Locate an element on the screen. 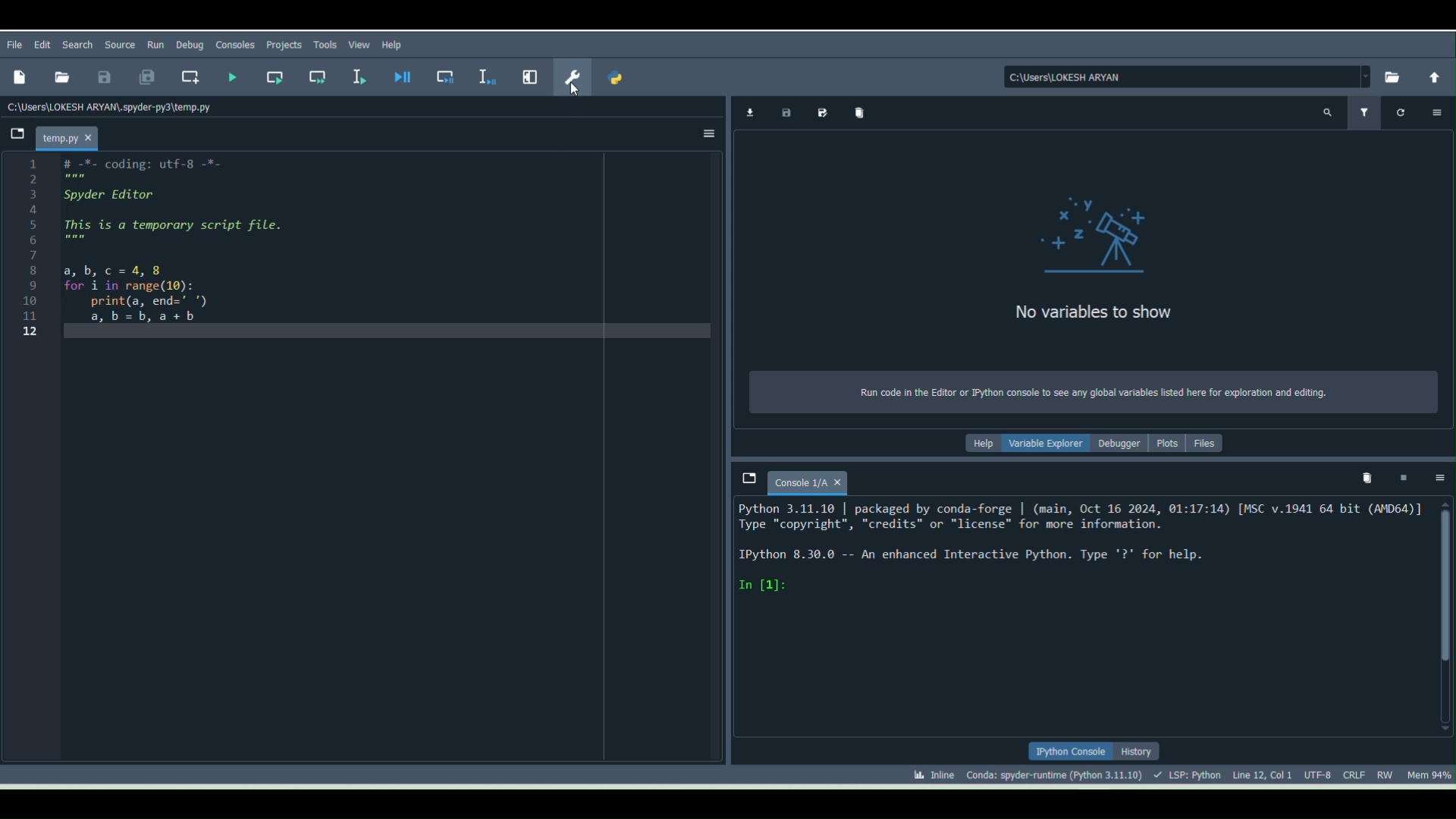  Save file (Ctrl + S) is located at coordinates (104, 76).